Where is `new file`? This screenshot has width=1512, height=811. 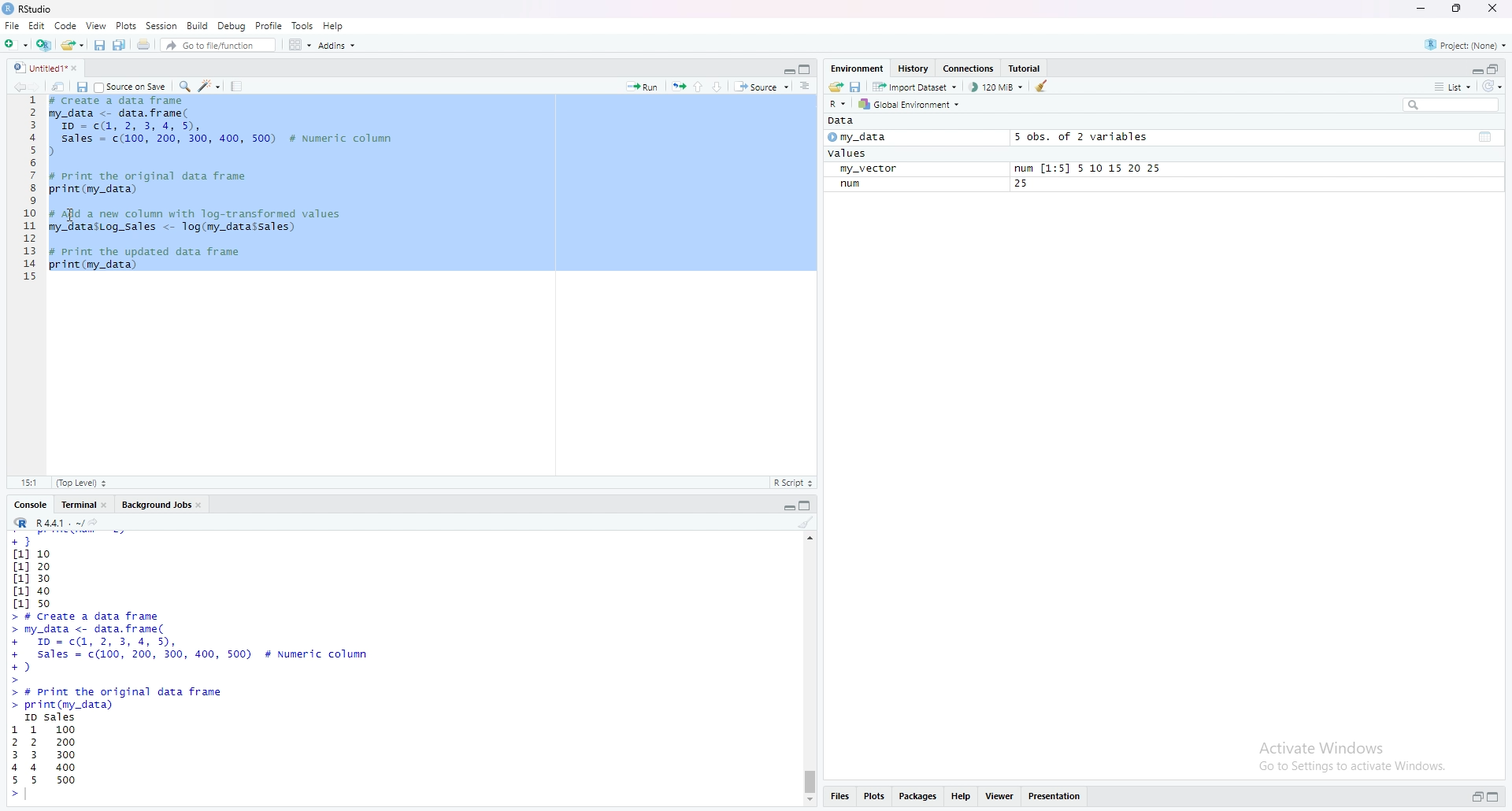
new file is located at coordinates (15, 43).